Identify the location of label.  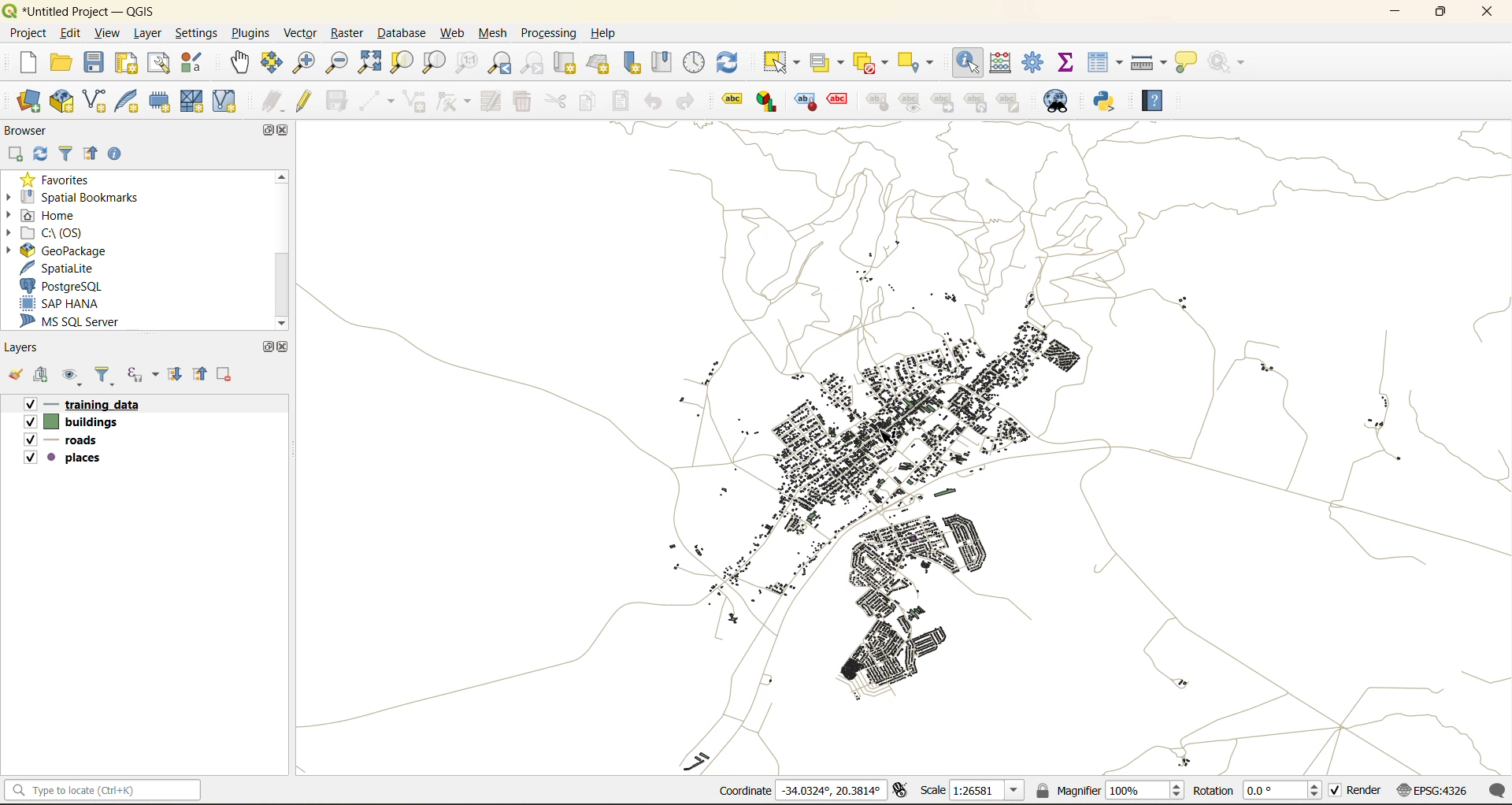
(729, 101).